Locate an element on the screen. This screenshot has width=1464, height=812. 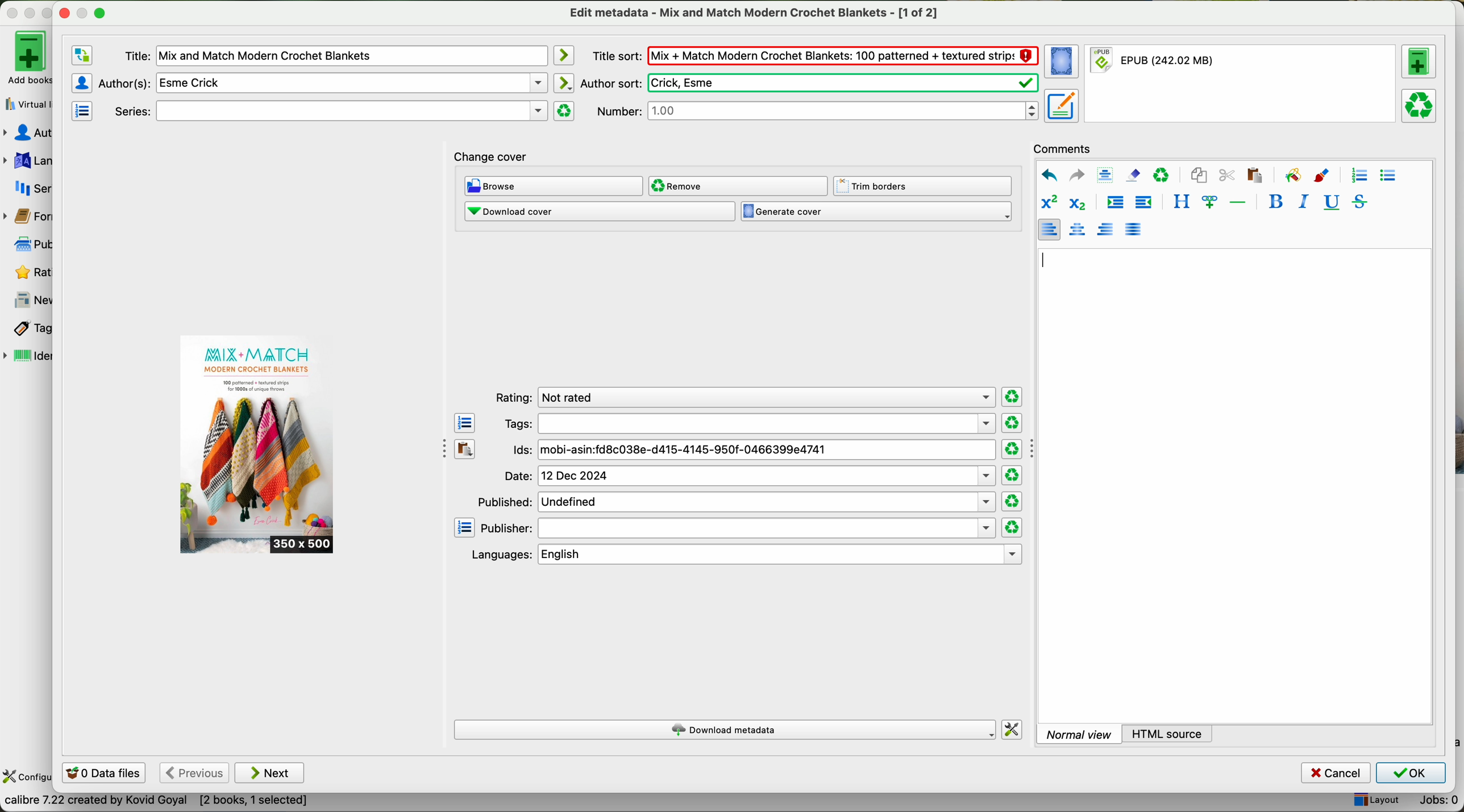
close window is located at coordinates (65, 11).